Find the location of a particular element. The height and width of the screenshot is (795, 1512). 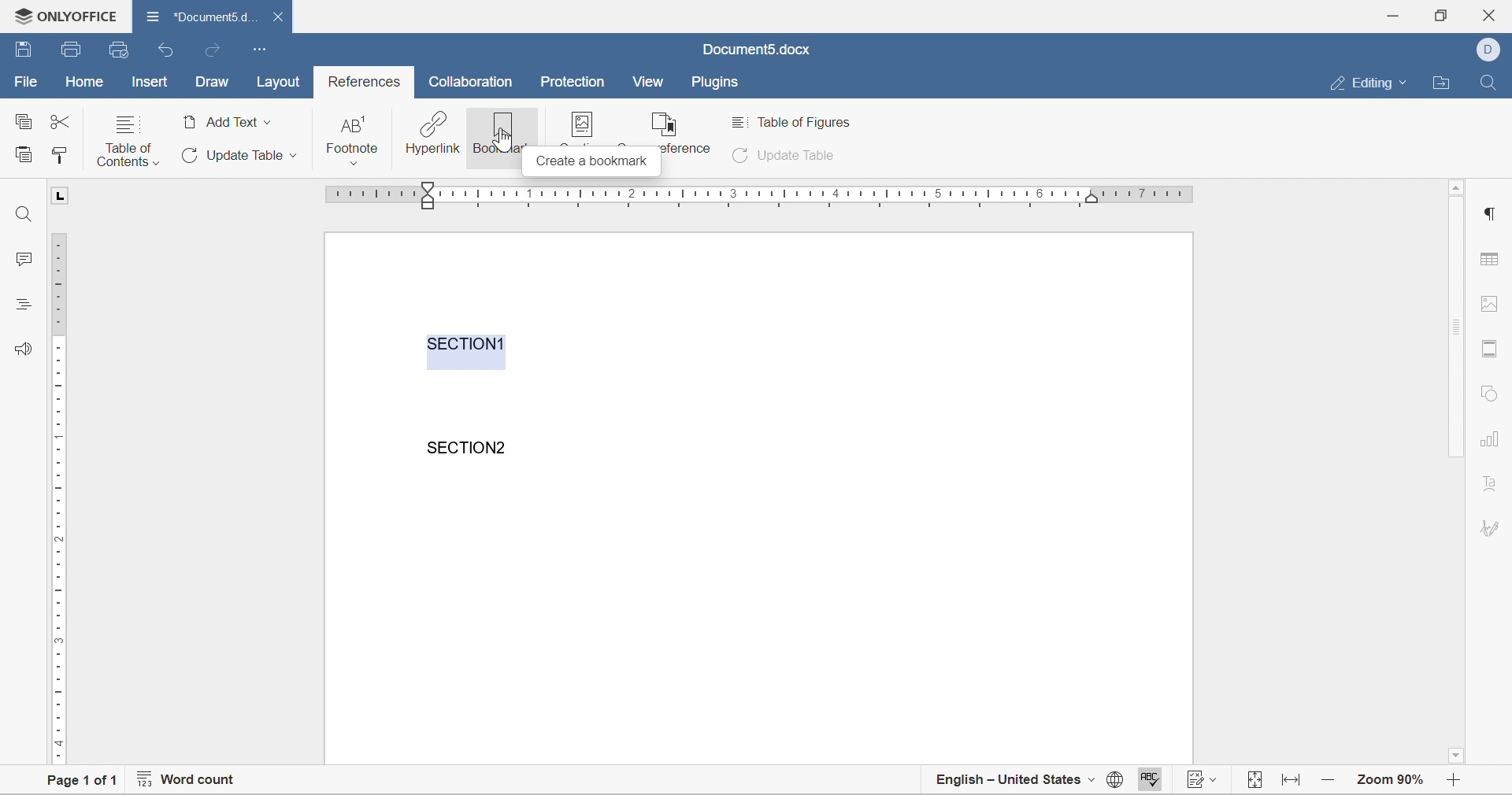

quick print is located at coordinates (120, 49).